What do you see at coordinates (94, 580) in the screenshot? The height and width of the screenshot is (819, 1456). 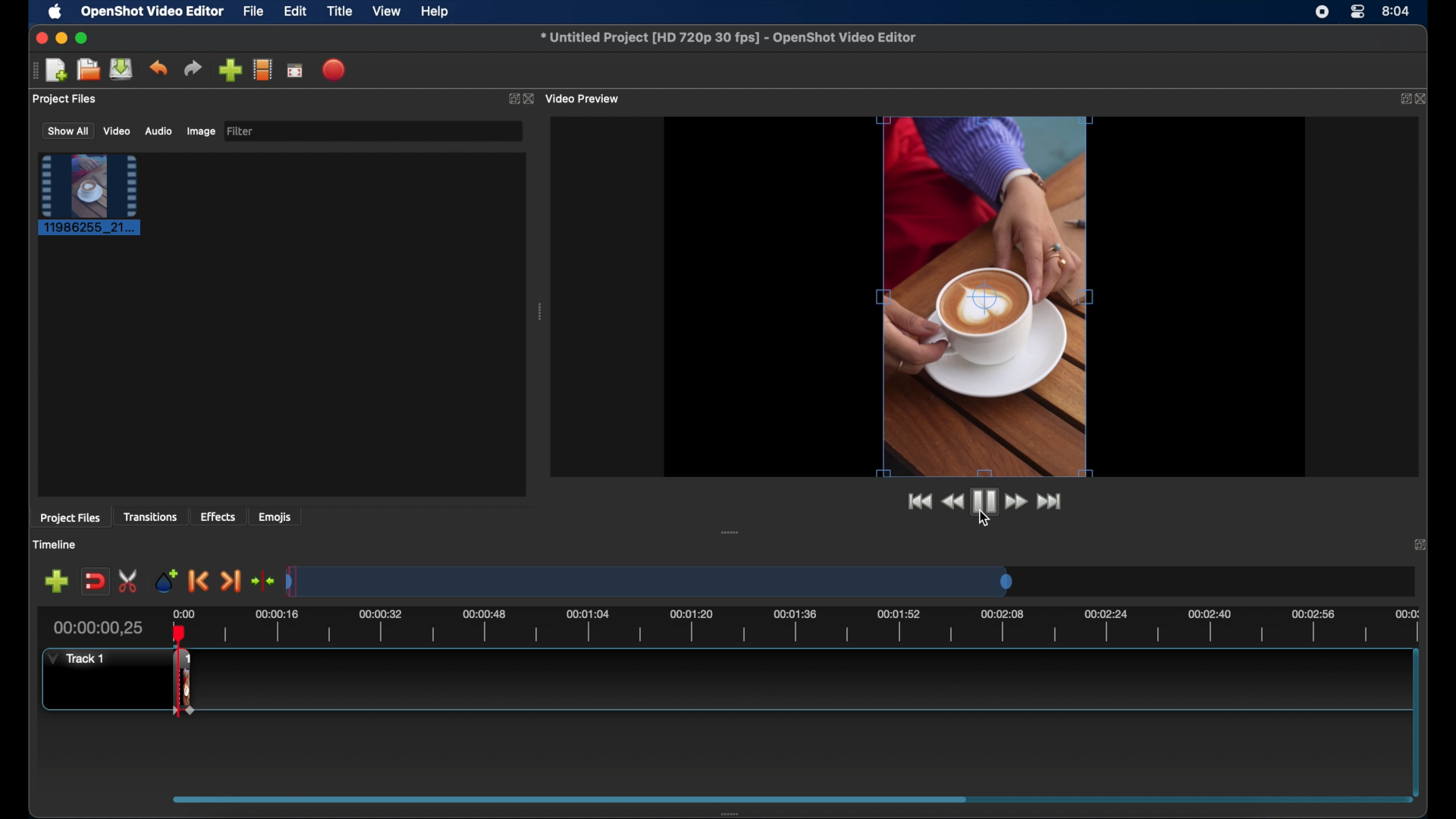 I see `disable  snapping` at bounding box center [94, 580].